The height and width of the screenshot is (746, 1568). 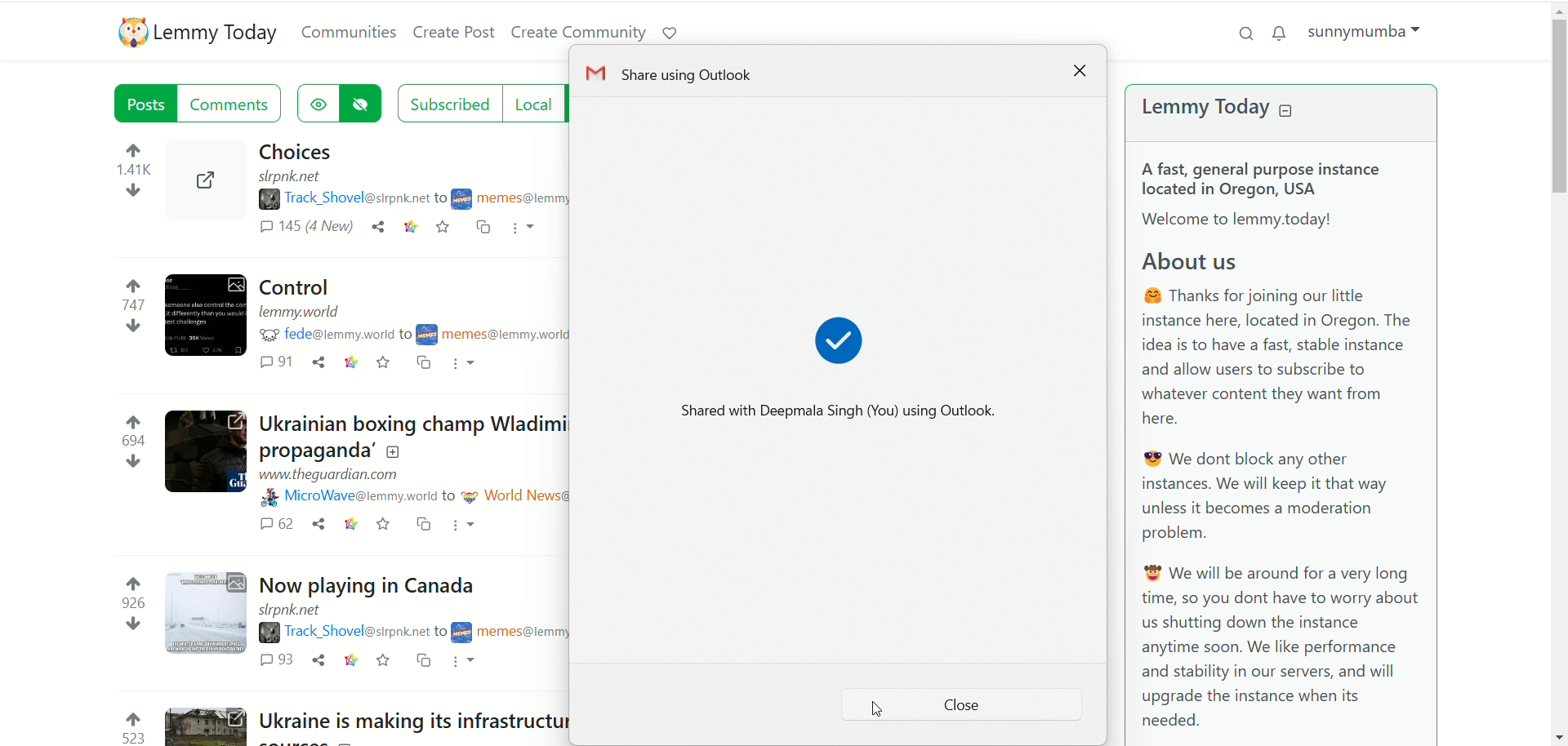 I want to click on support lemmy, so click(x=669, y=32).